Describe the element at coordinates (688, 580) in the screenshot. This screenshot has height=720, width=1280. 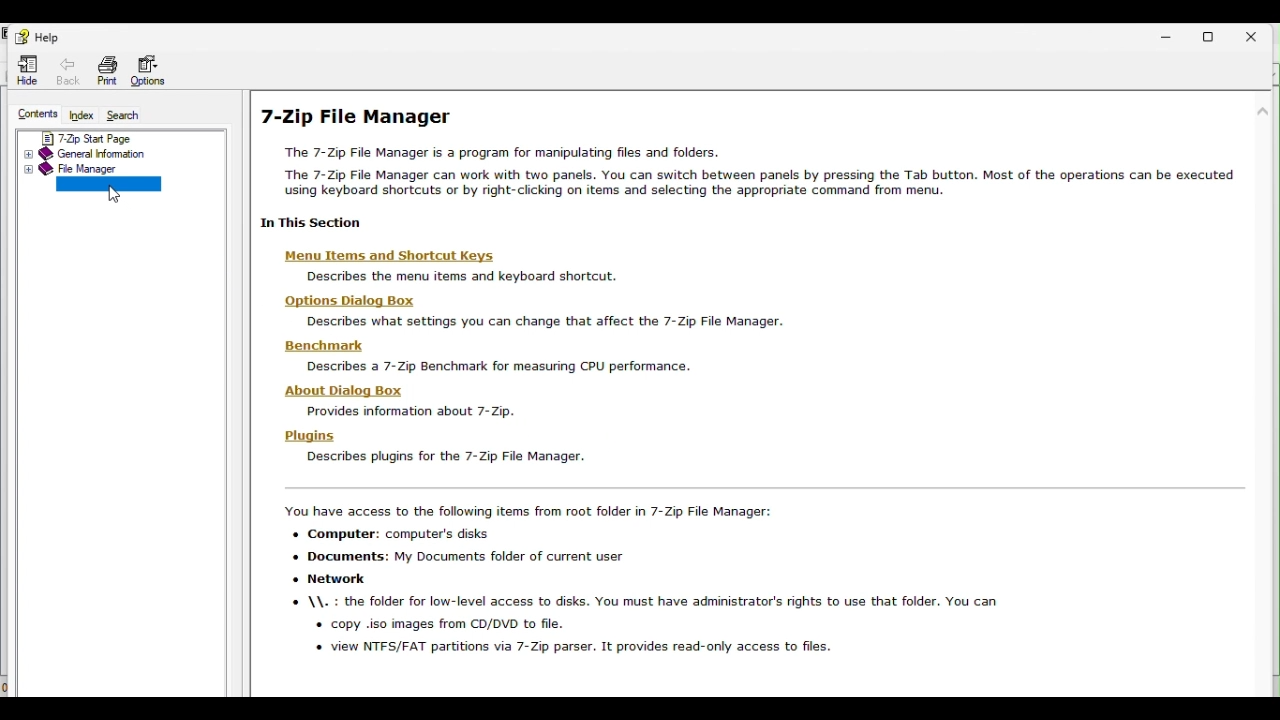
I see `accesible items from 7 zip file manager` at that location.